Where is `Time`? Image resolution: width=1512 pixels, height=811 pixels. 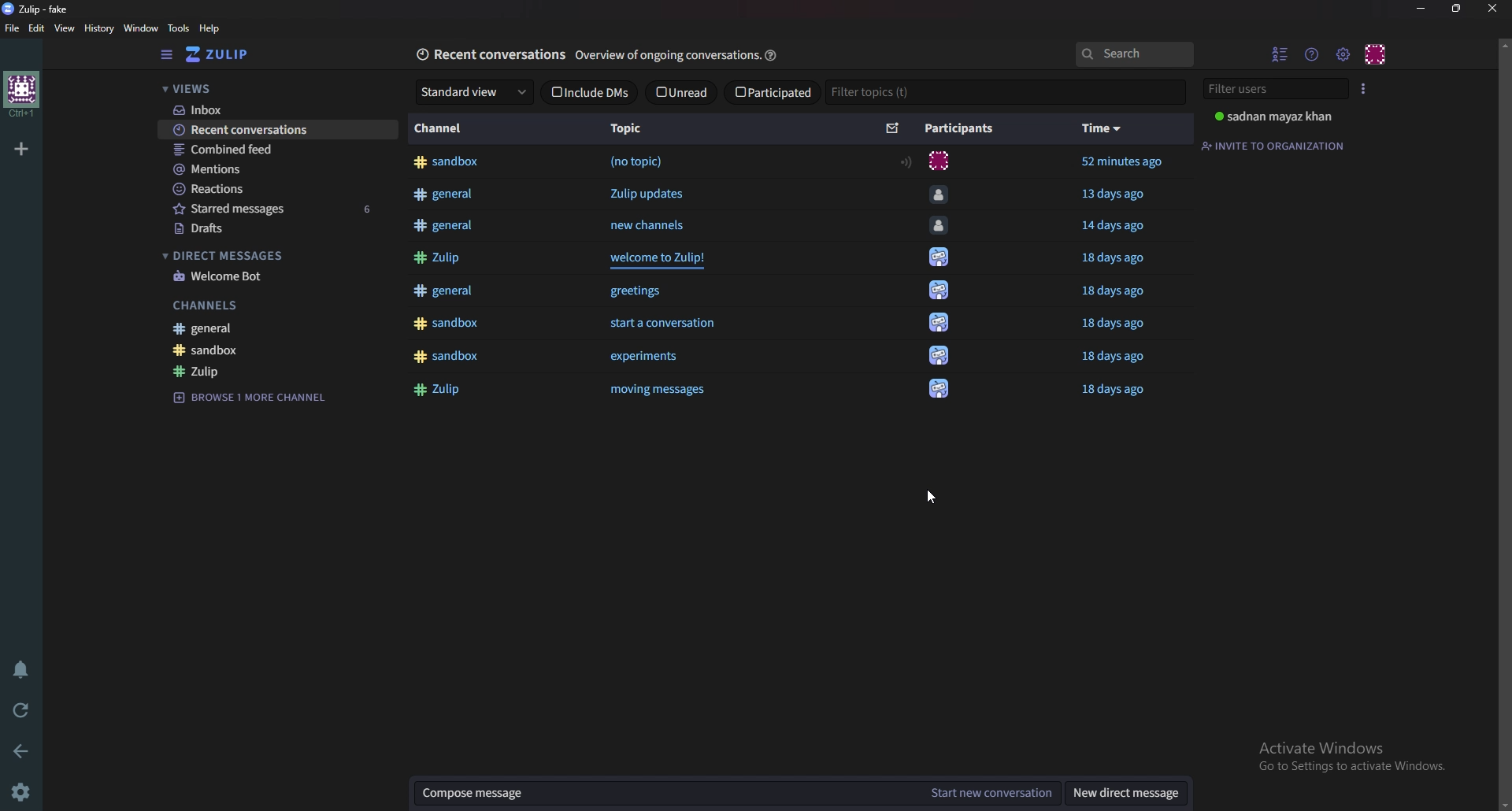 Time is located at coordinates (1102, 128).